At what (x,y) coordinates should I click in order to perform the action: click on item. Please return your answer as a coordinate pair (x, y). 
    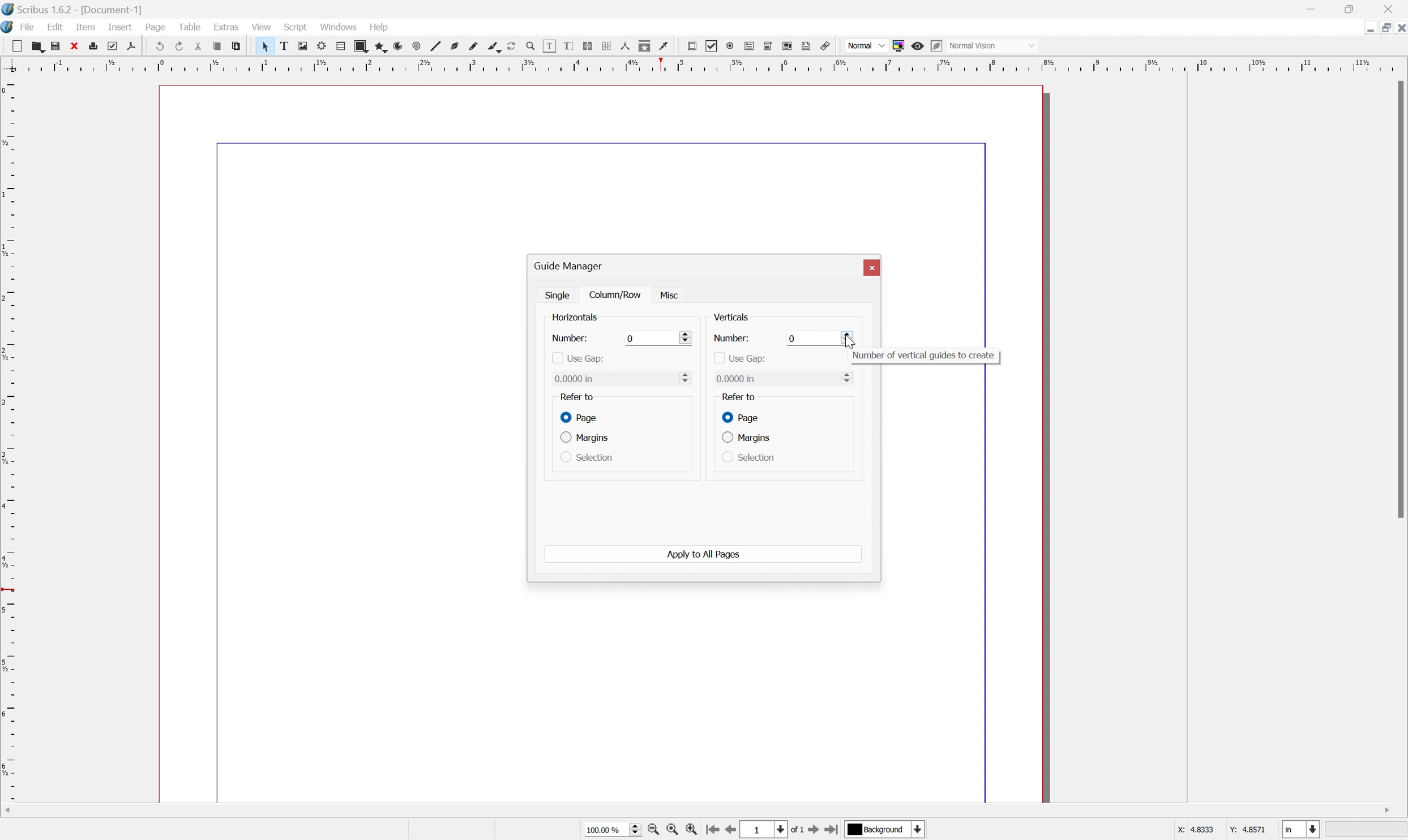
    Looking at the image, I should click on (84, 27).